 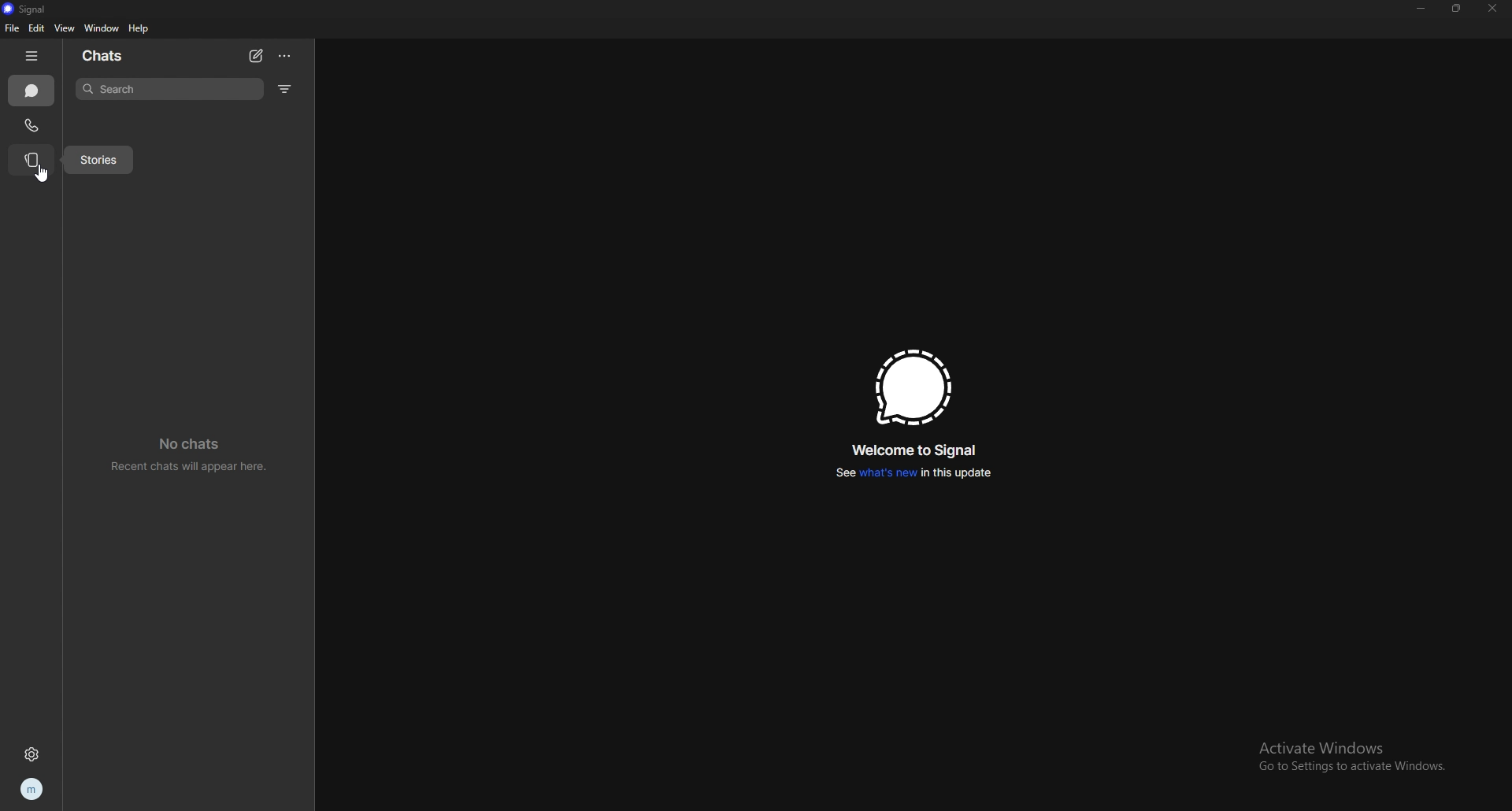 I want to click on signal, so click(x=28, y=9).